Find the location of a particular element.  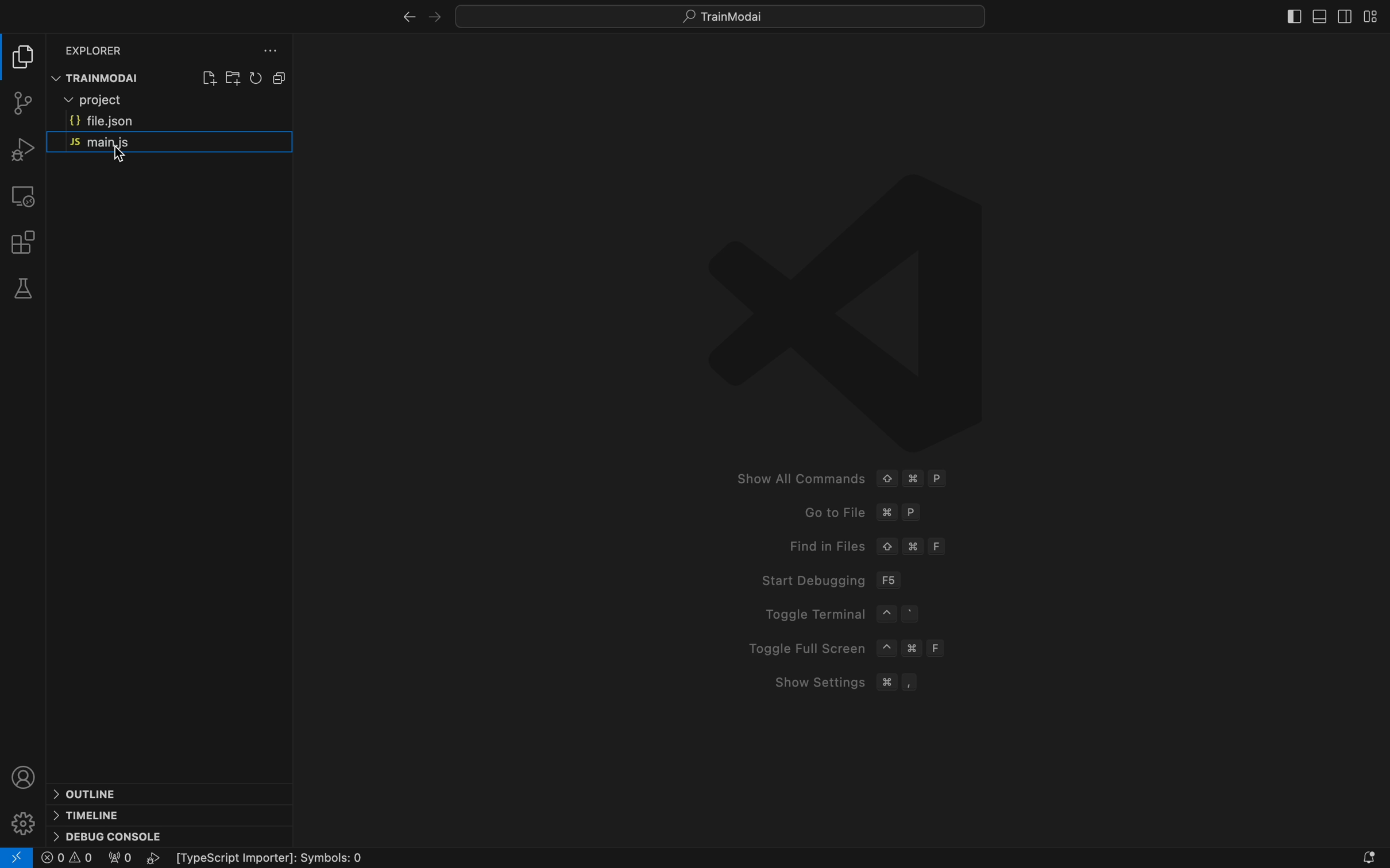

error logs is located at coordinates (68, 858).